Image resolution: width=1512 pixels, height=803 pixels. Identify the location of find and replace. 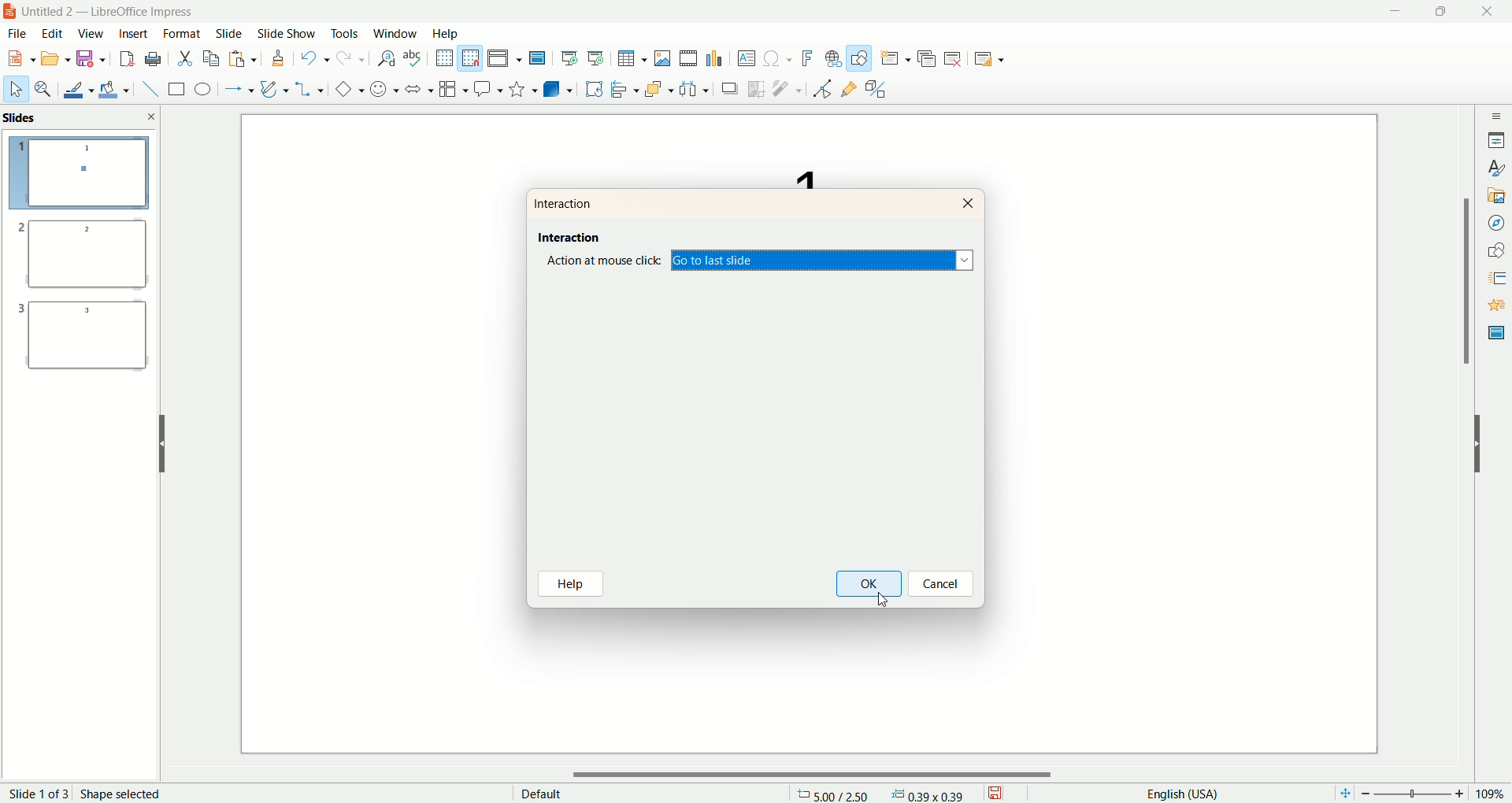
(384, 60).